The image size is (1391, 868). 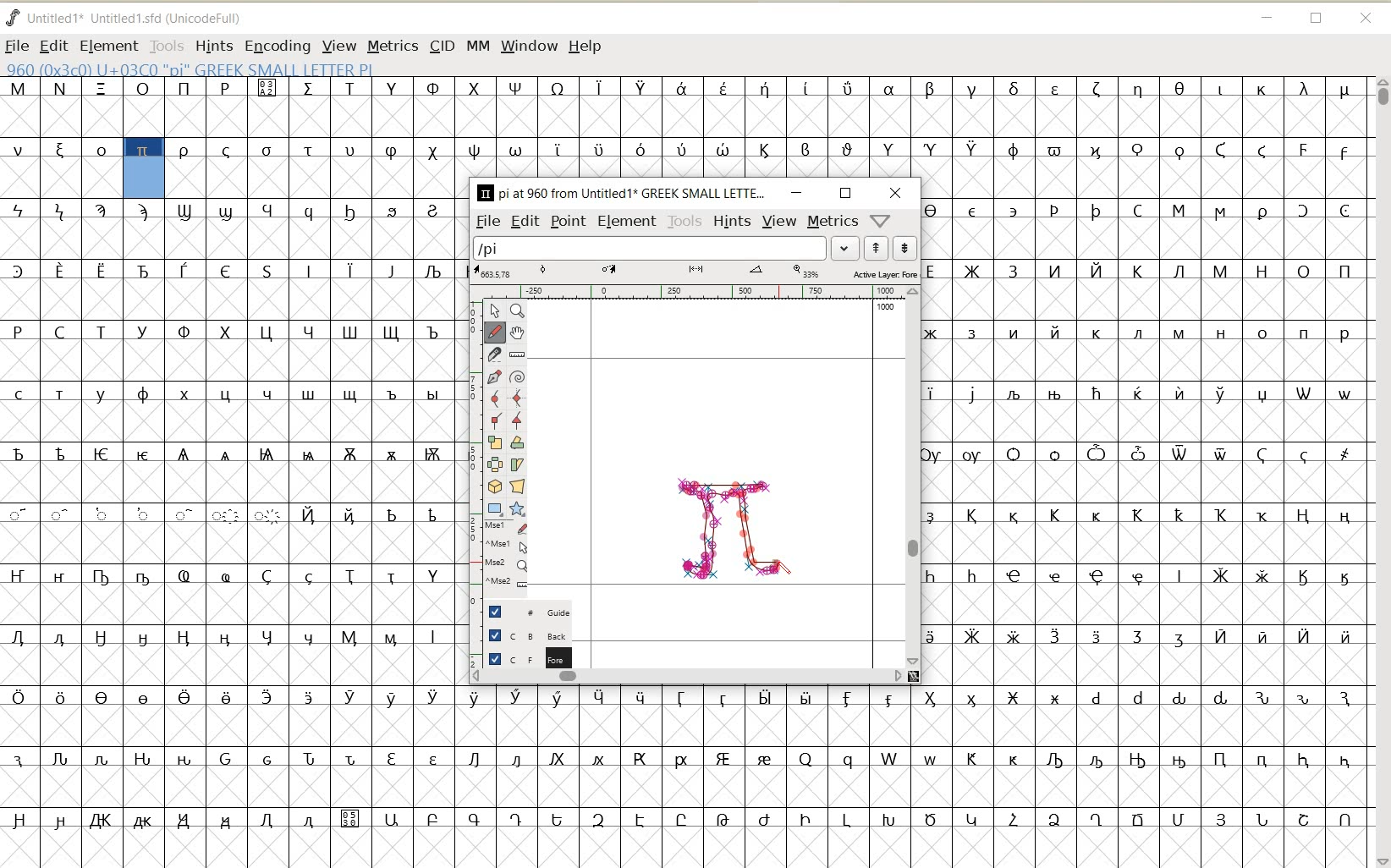 I want to click on PENCIL TOOL/cursor location, so click(x=783, y=569).